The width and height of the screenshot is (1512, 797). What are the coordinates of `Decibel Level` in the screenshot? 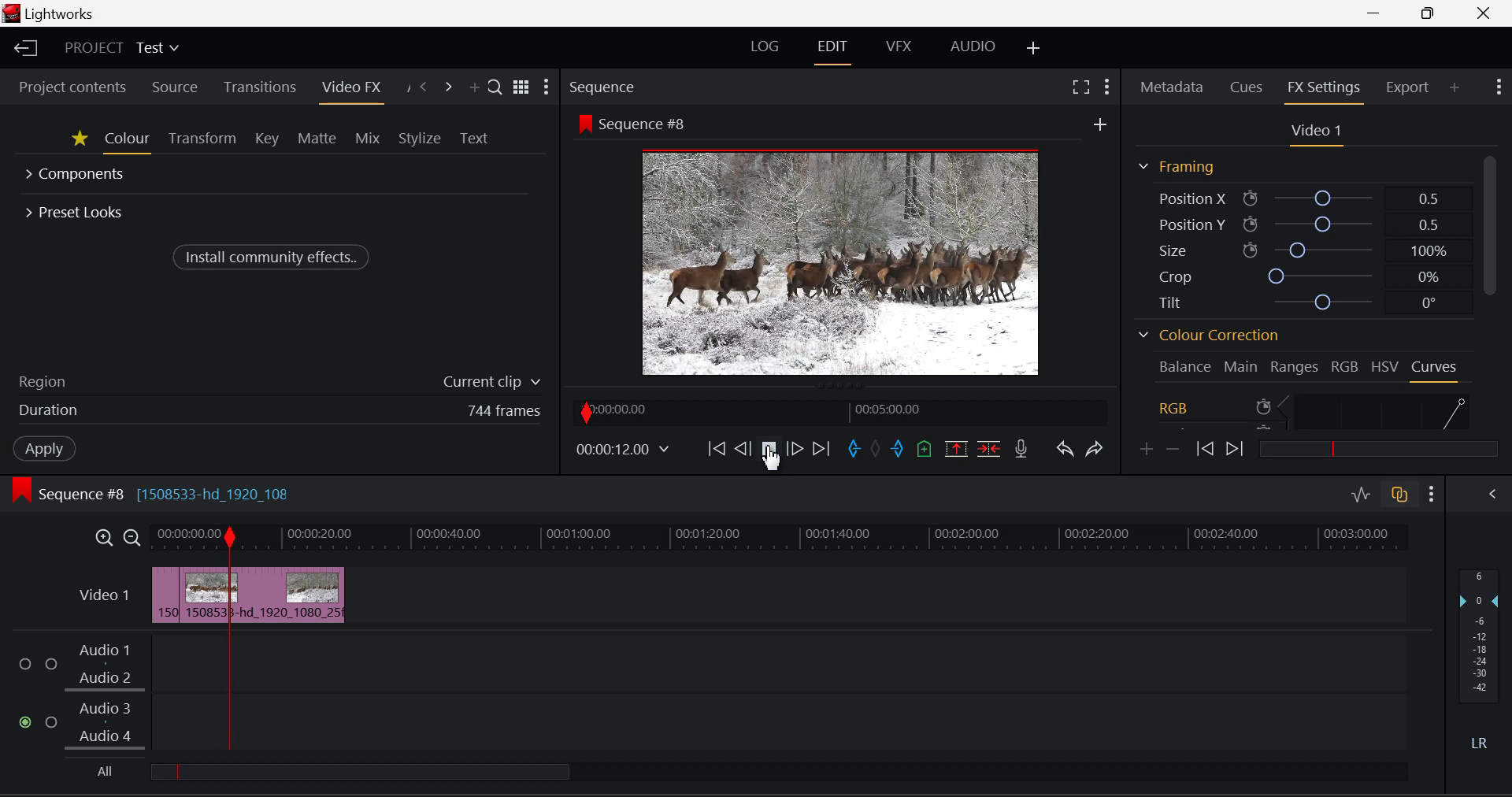 It's located at (1478, 656).